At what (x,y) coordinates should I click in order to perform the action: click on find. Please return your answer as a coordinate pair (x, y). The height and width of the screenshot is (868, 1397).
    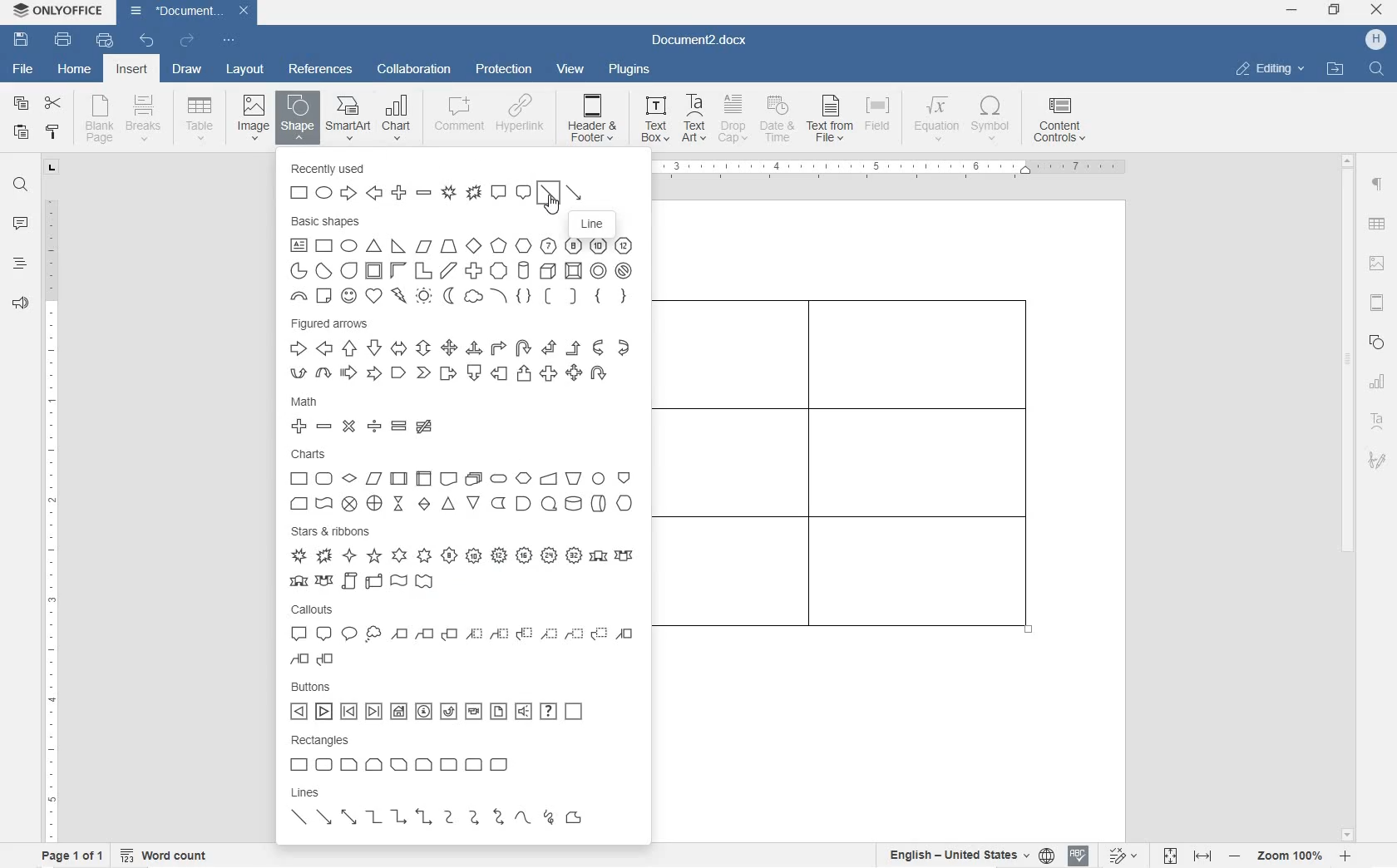
    Looking at the image, I should click on (22, 186).